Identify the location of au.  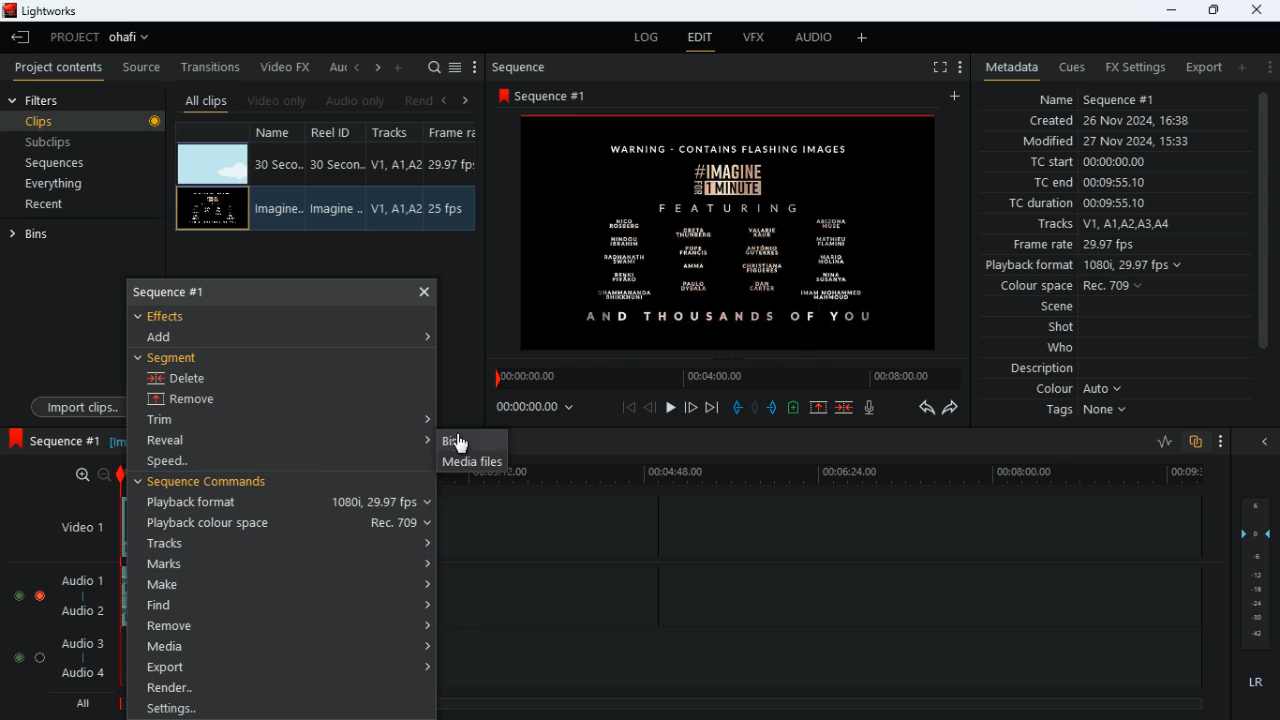
(338, 67).